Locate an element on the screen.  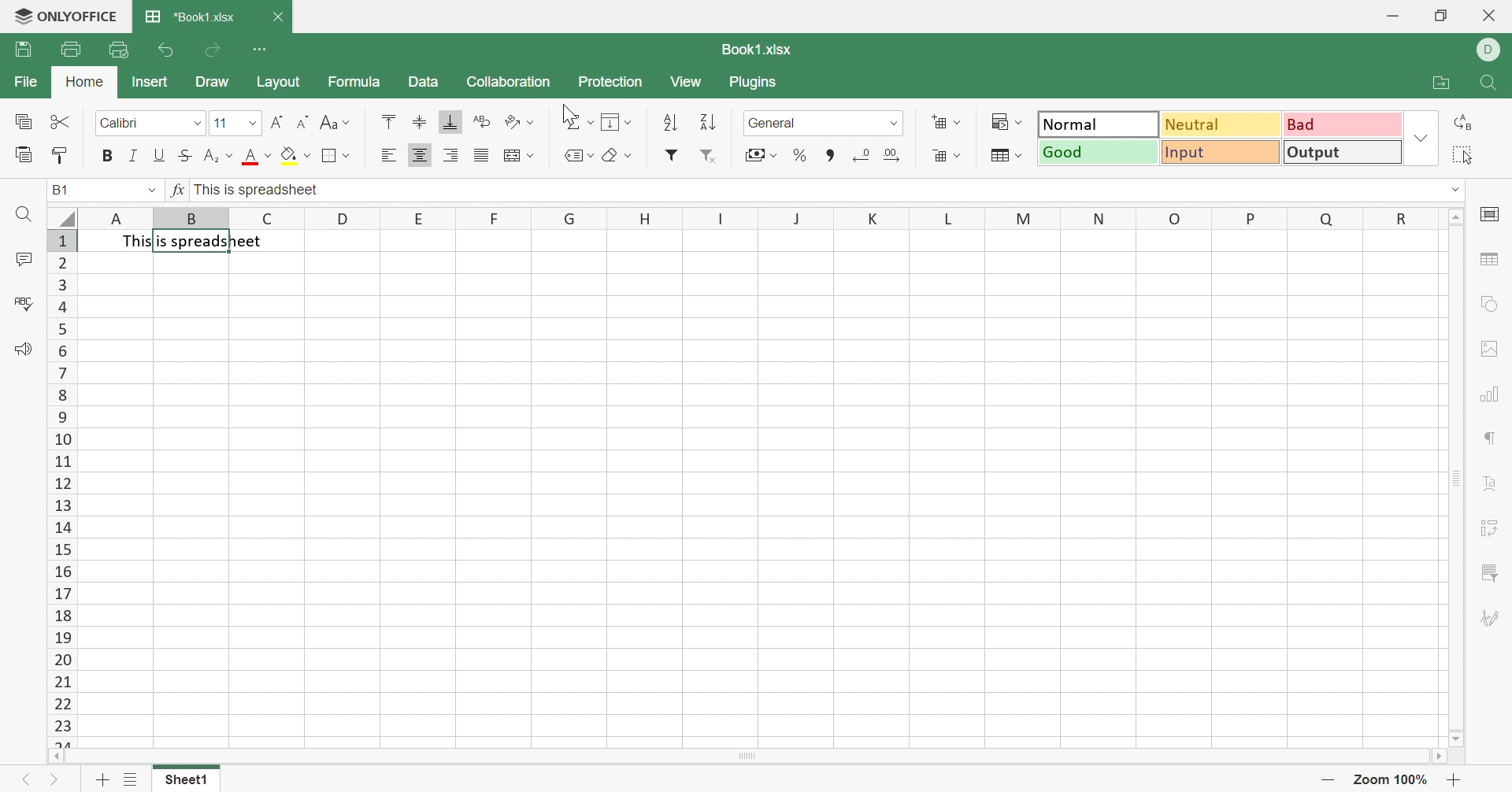
Drop Down is located at coordinates (958, 154).